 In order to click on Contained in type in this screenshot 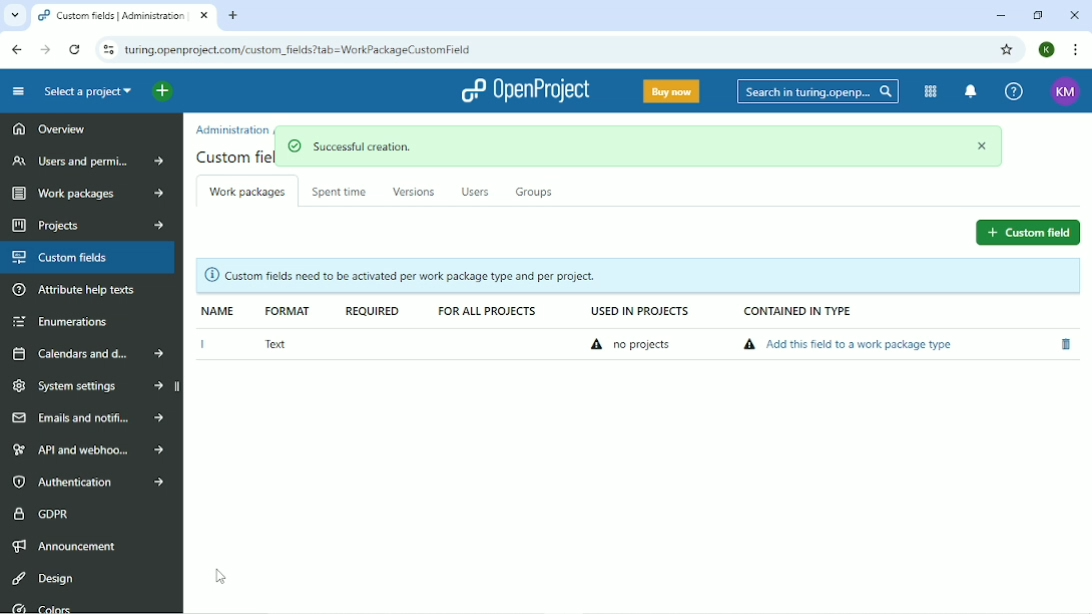, I will do `click(799, 312)`.